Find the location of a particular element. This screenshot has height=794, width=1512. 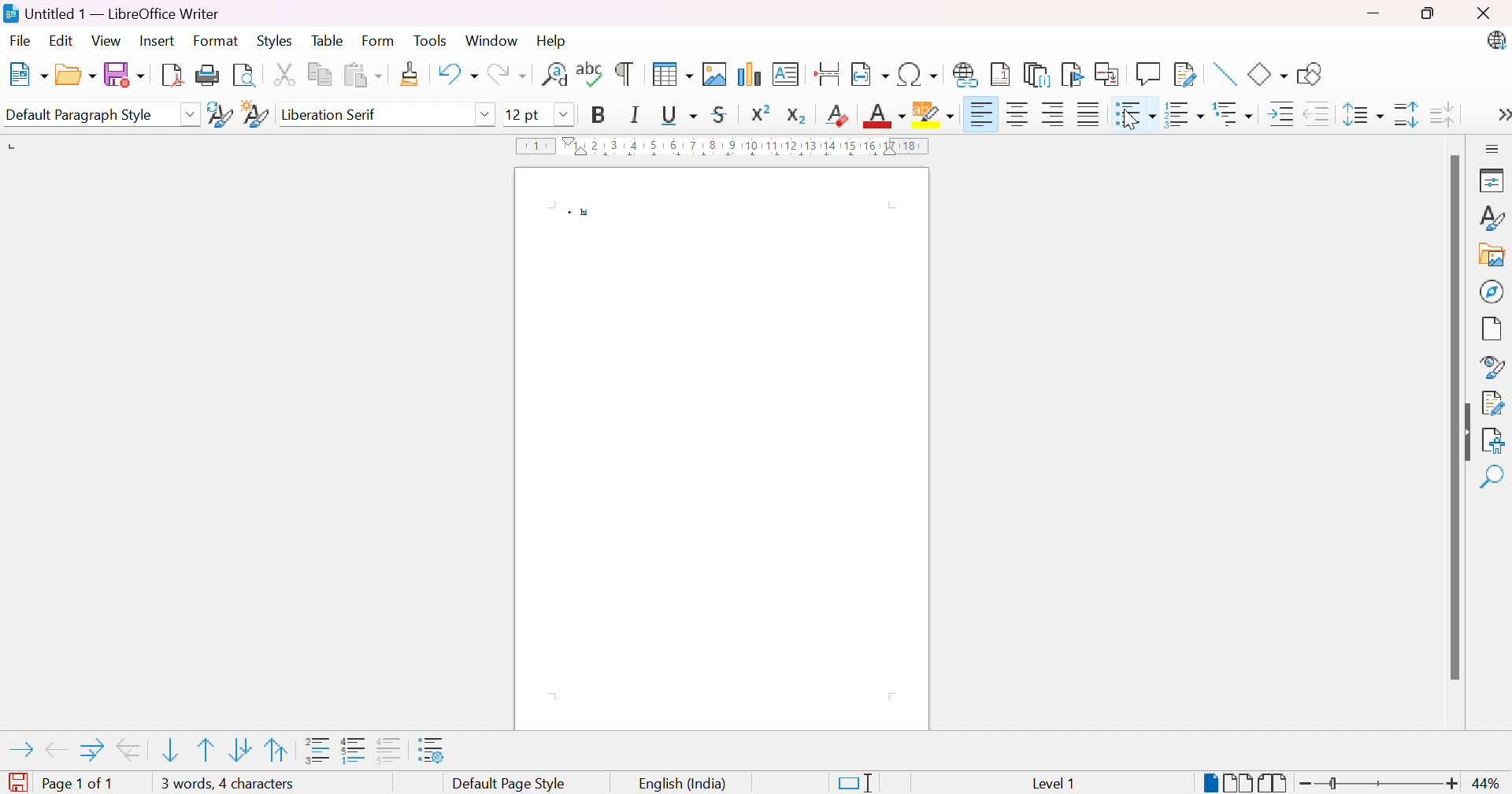

Show track changes functions is located at coordinates (1185, 74).